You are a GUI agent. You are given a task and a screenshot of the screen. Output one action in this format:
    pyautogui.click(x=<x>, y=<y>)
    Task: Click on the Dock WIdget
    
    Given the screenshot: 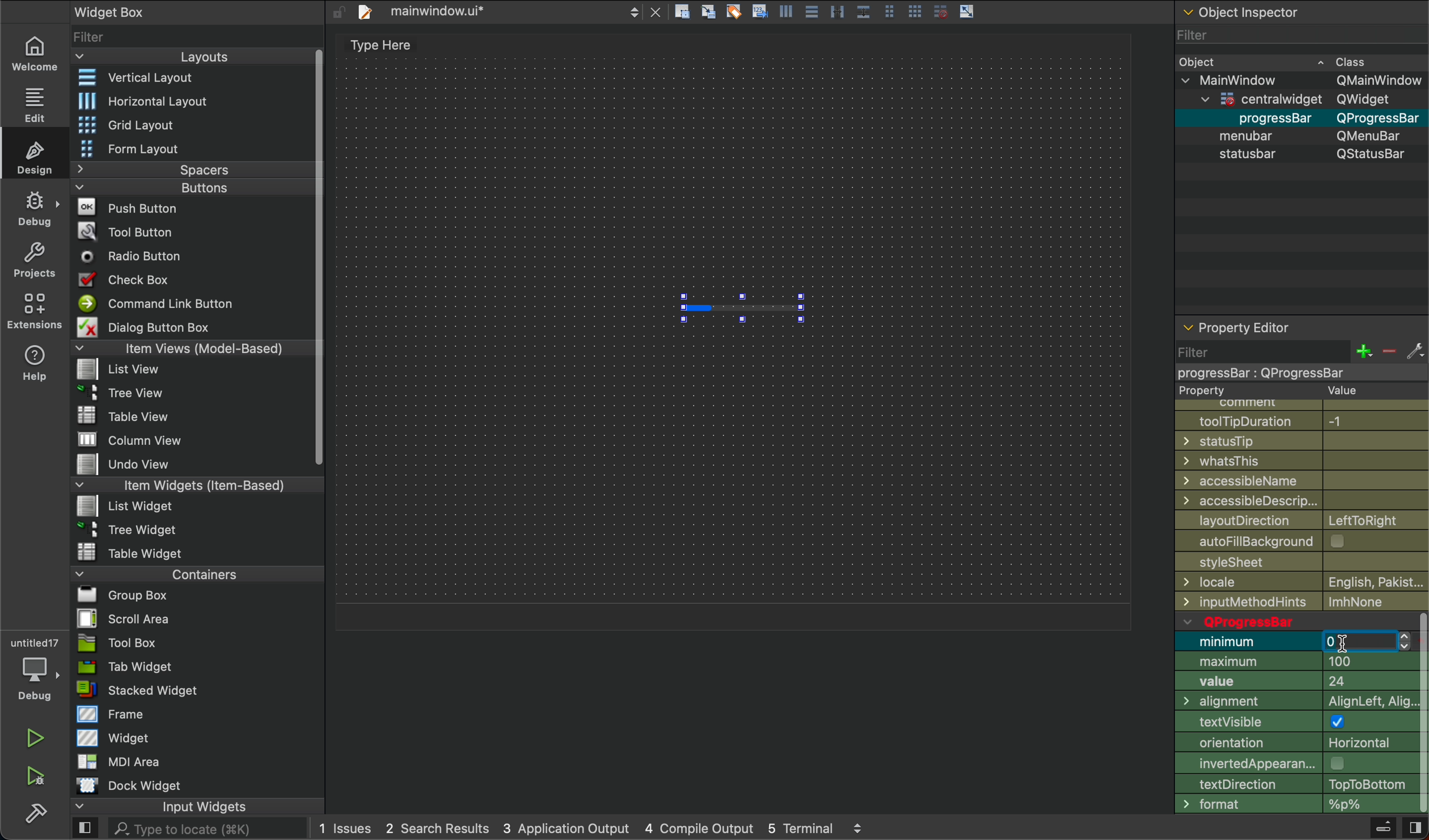 What is the action you would take?
    pyautogui.click(x=129, y=786)
    